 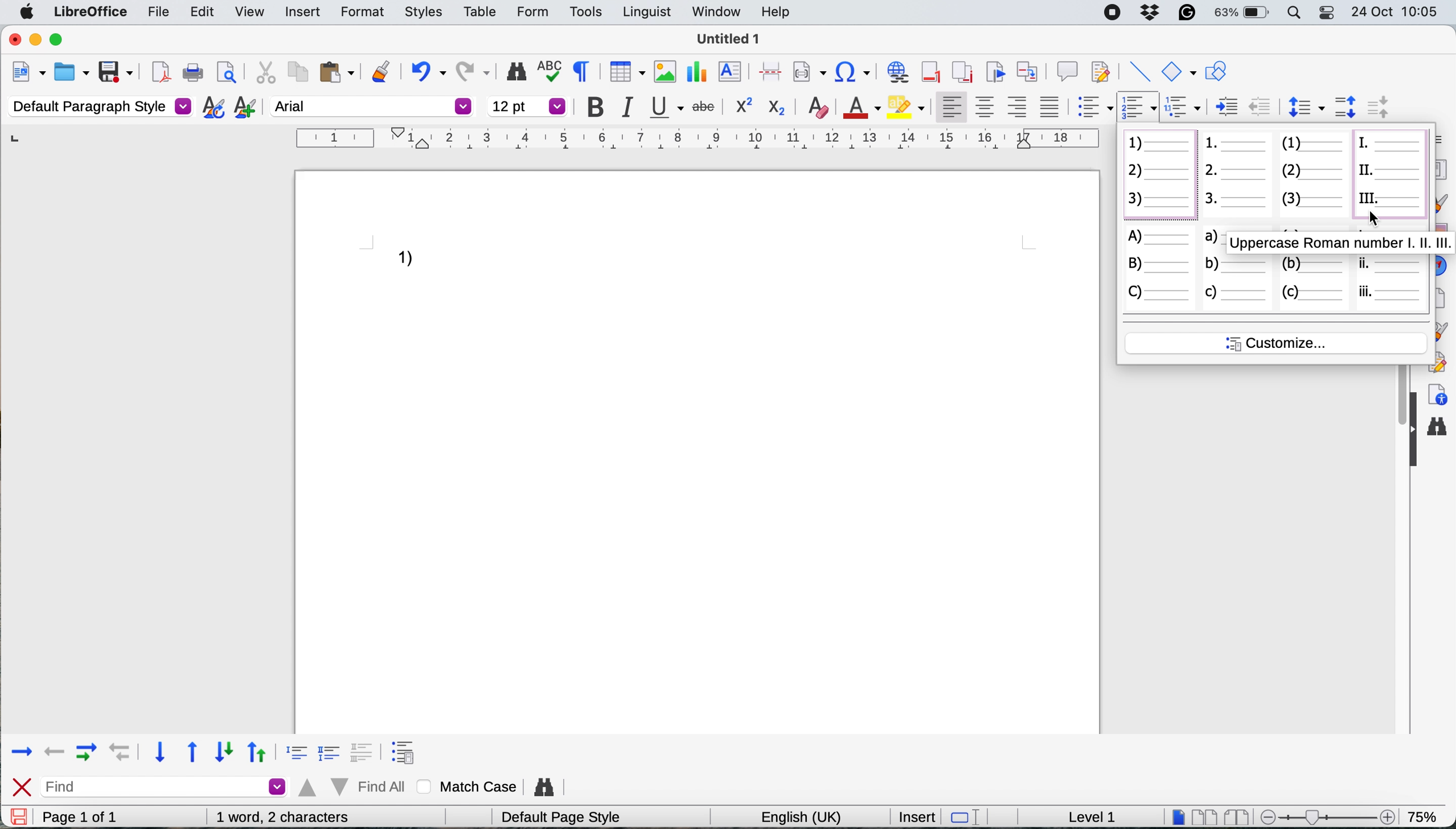 I want to click on insert image, so click(x=663, y=71).